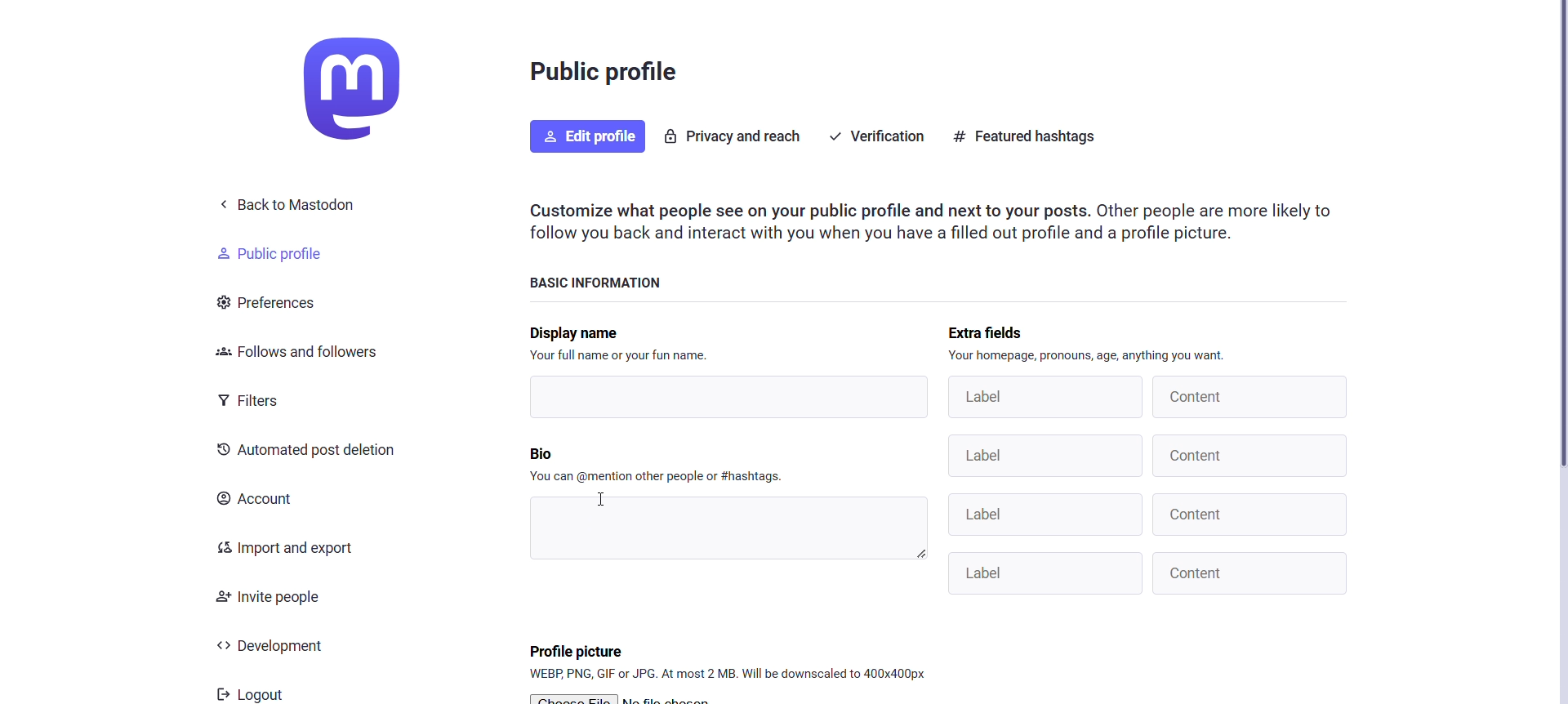  What do you see at coordinates (278, 302) in the screenshot?
I see `Preferences` at bounding box center [278, 302].